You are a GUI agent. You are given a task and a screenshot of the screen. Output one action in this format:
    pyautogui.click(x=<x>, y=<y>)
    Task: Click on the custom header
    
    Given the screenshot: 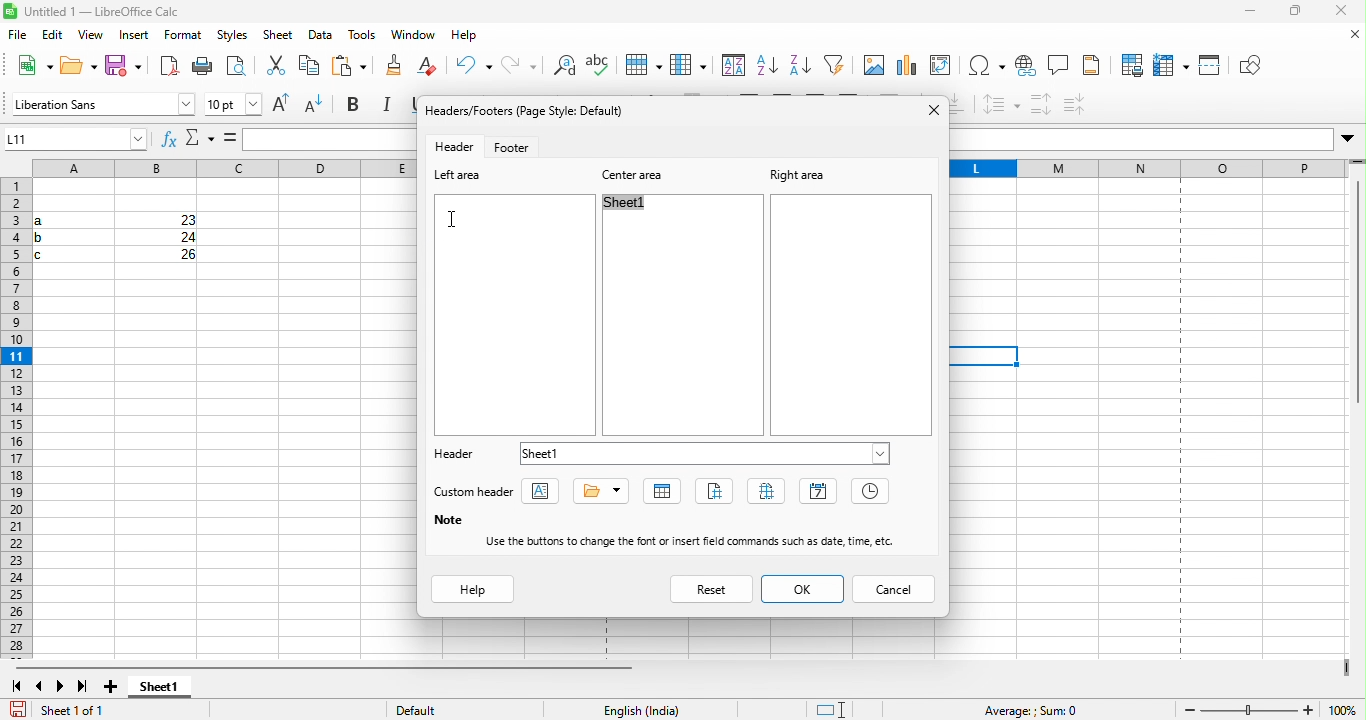 What is the action you would take?
    pyautogui.click(x=479, y=490)
    